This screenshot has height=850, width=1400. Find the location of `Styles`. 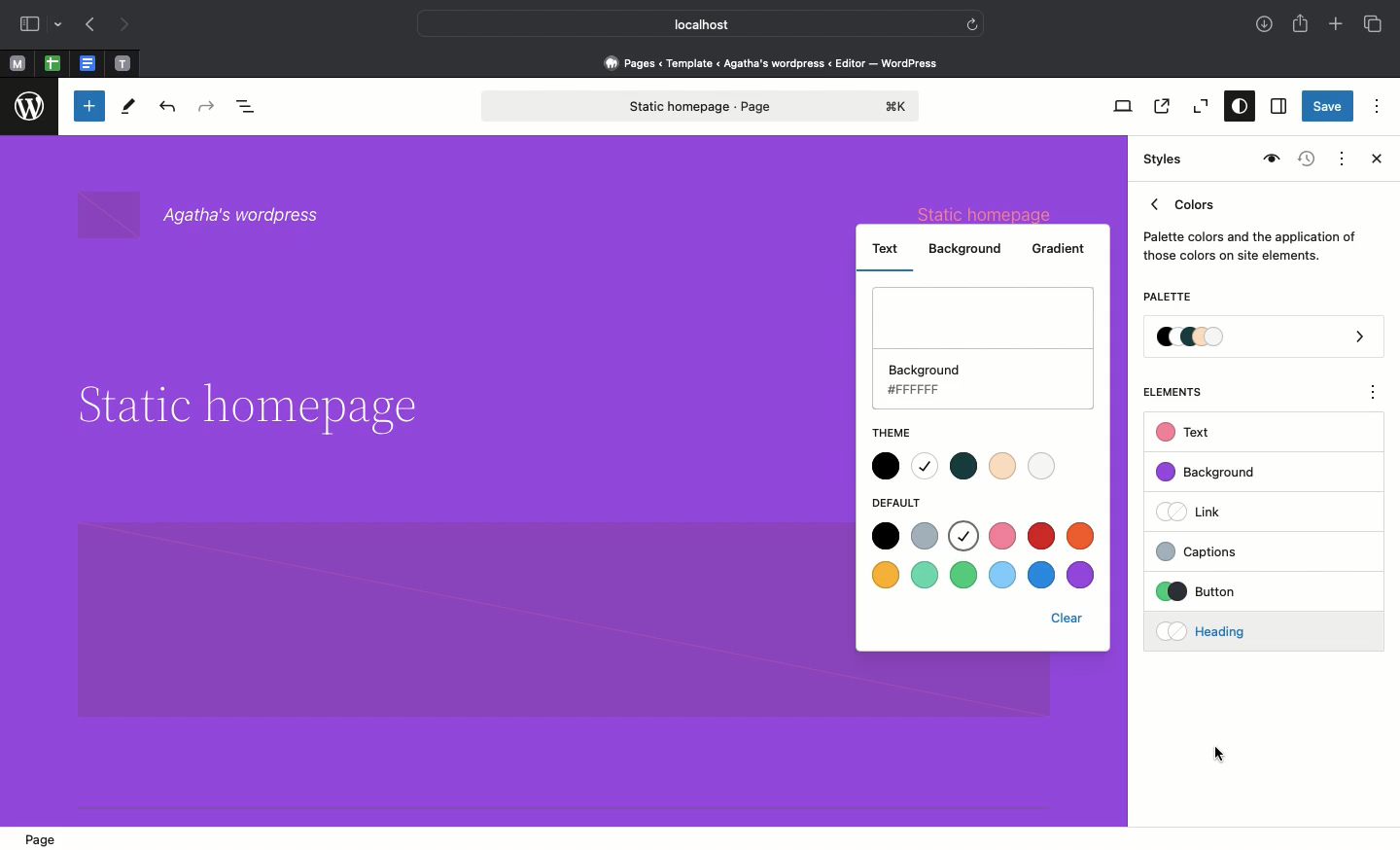

Styles is located at coordinates (1165, 159).